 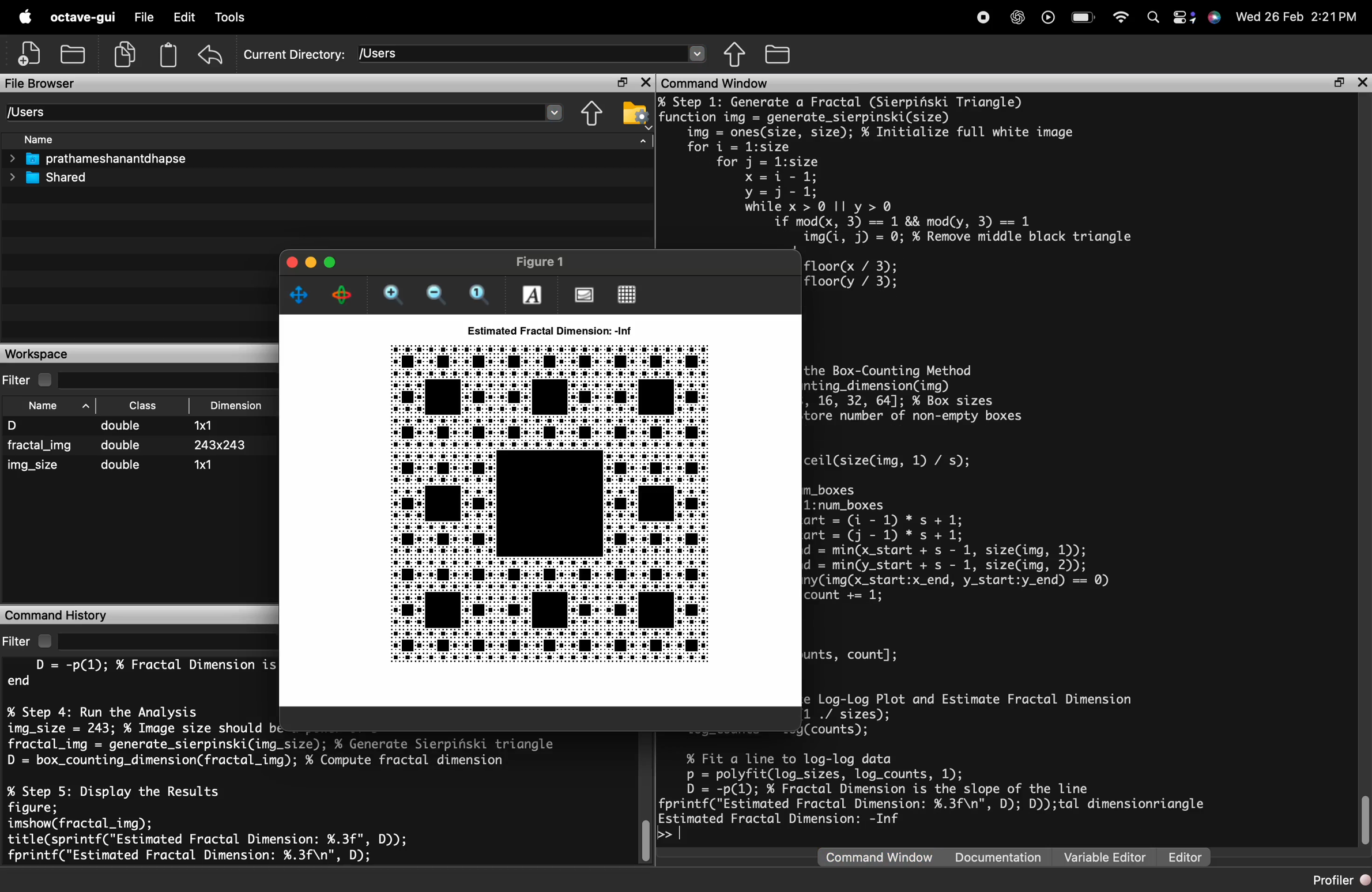 I want to click on Shared, so click(x=46, y=177).